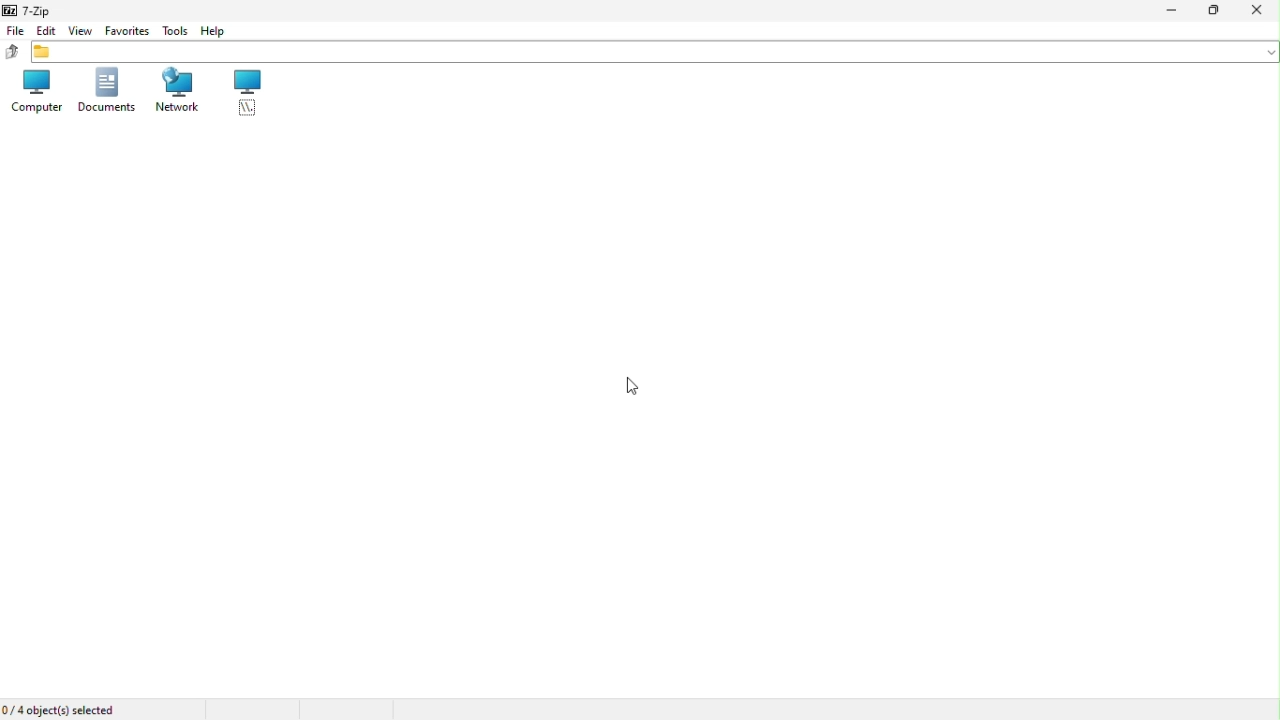 Image resolution: width=1280 pixels, height=720 pixels. I want to click on Tools, so click(175, 31).